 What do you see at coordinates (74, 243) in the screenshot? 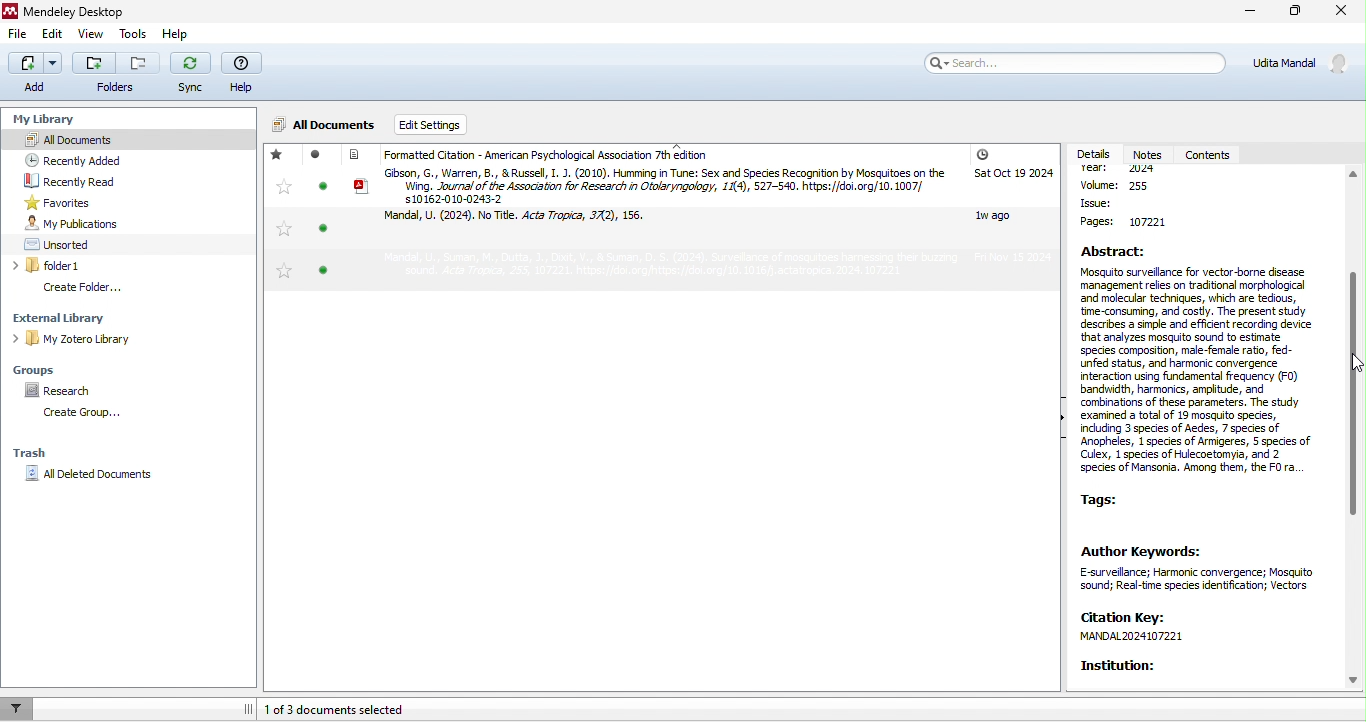
I see `unsorted` at bounding box center [74, 243].